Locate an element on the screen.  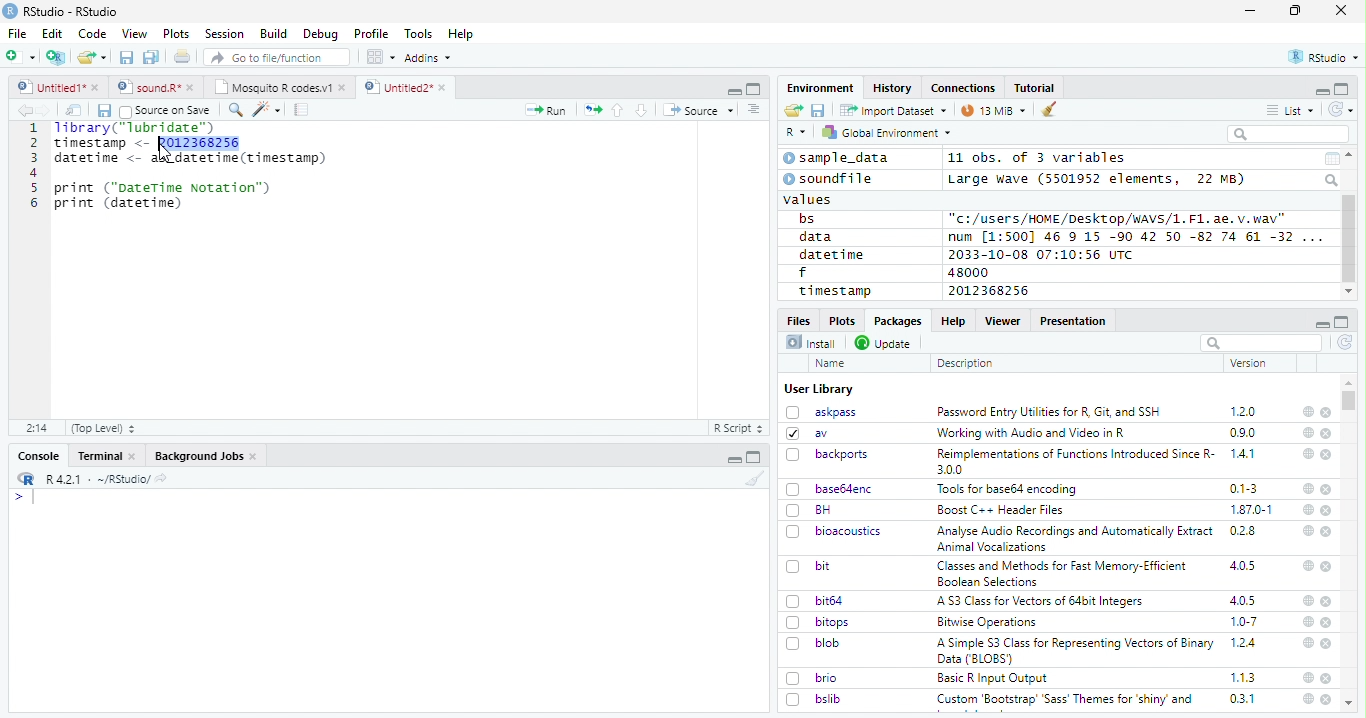
bs is located at coordinates (807, 219).